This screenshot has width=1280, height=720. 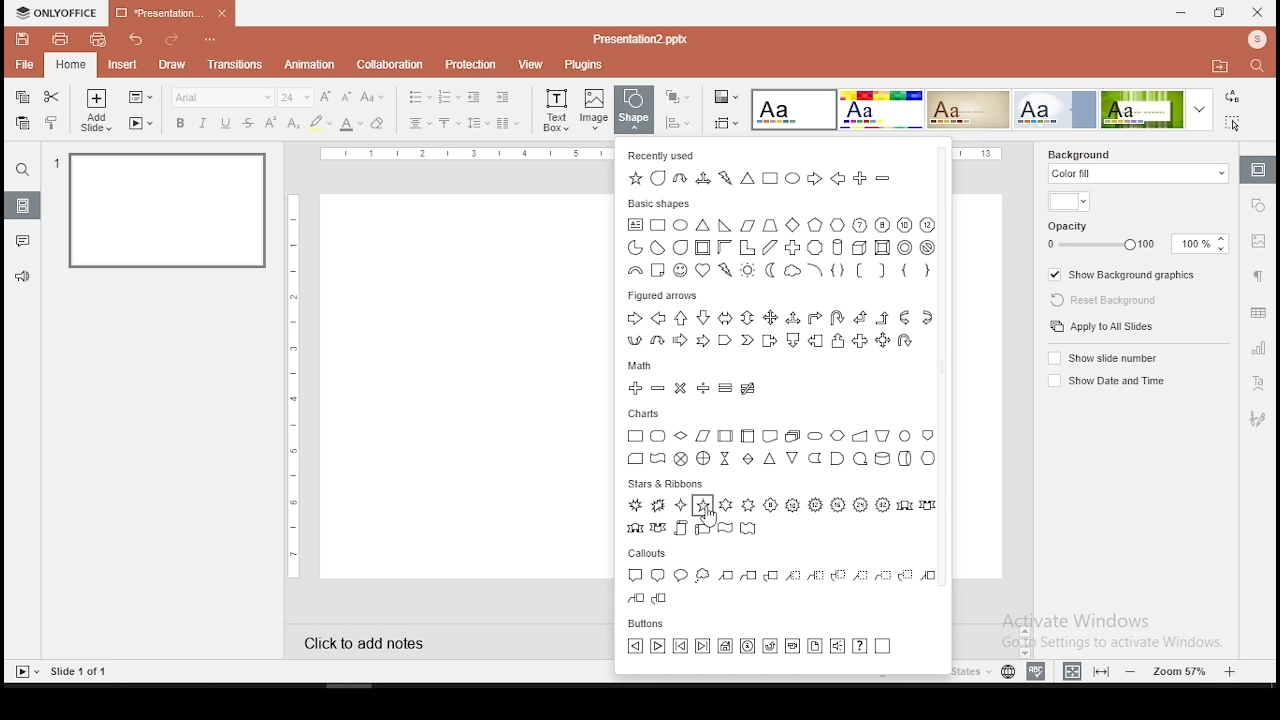 What do you see at coordinates (661, 203) in the screenshot?
I see `basic shapes` at bounding box center [661, 203].